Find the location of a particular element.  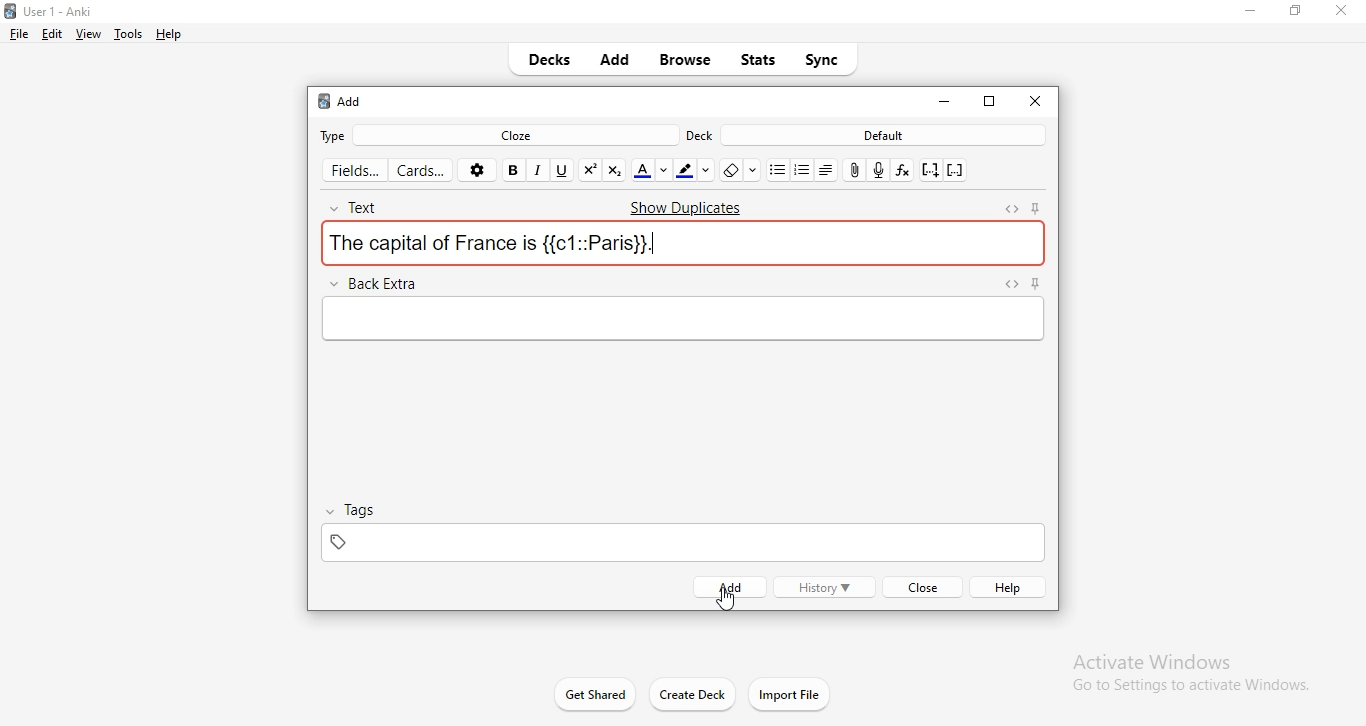

restore is located at coordinates (991, 103).